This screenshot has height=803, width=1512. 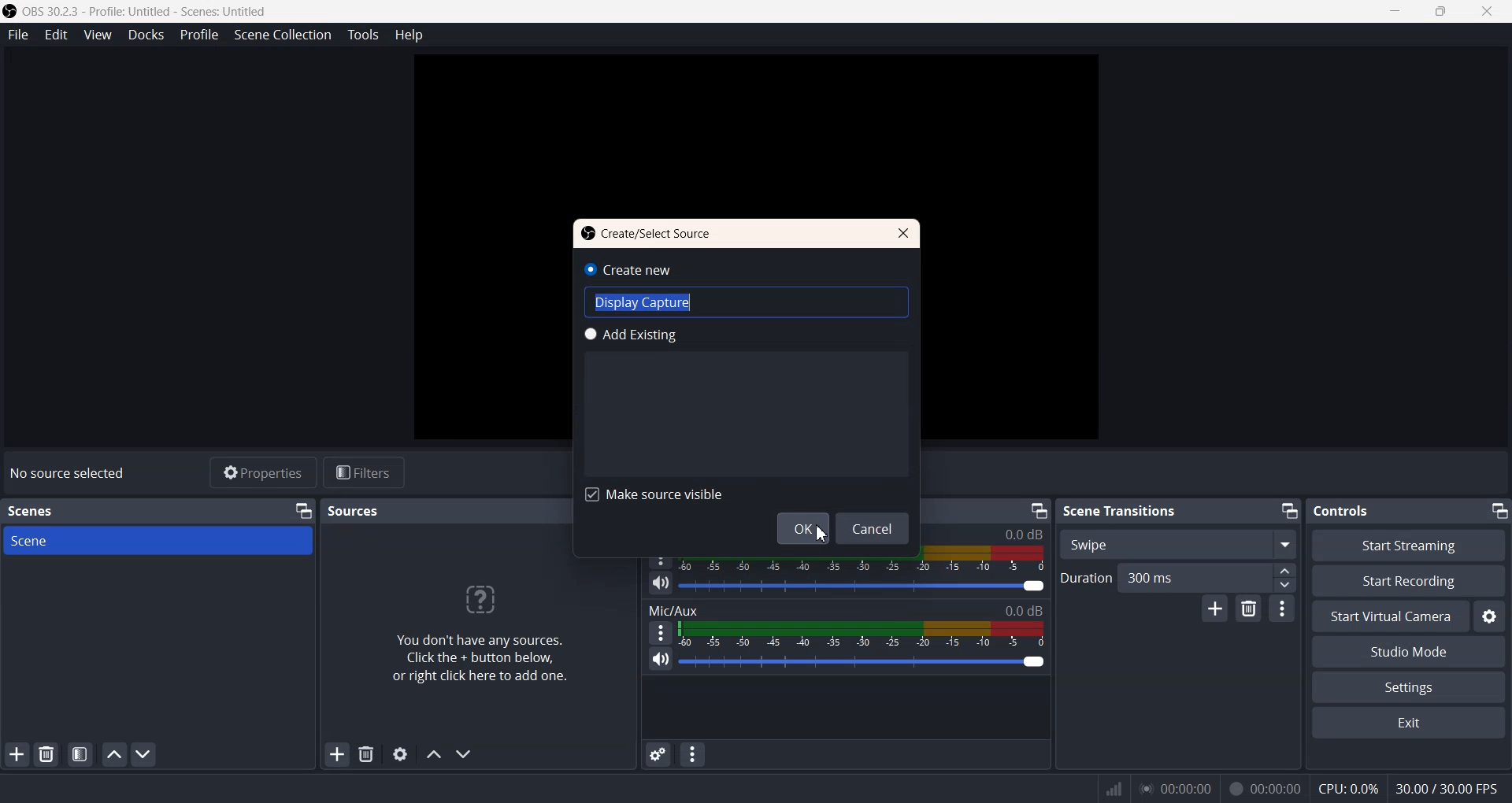 What do you see at coordinates (991, 531) in the screenshot?
I see `Desktop Audio` at bounding box center [991, 531].